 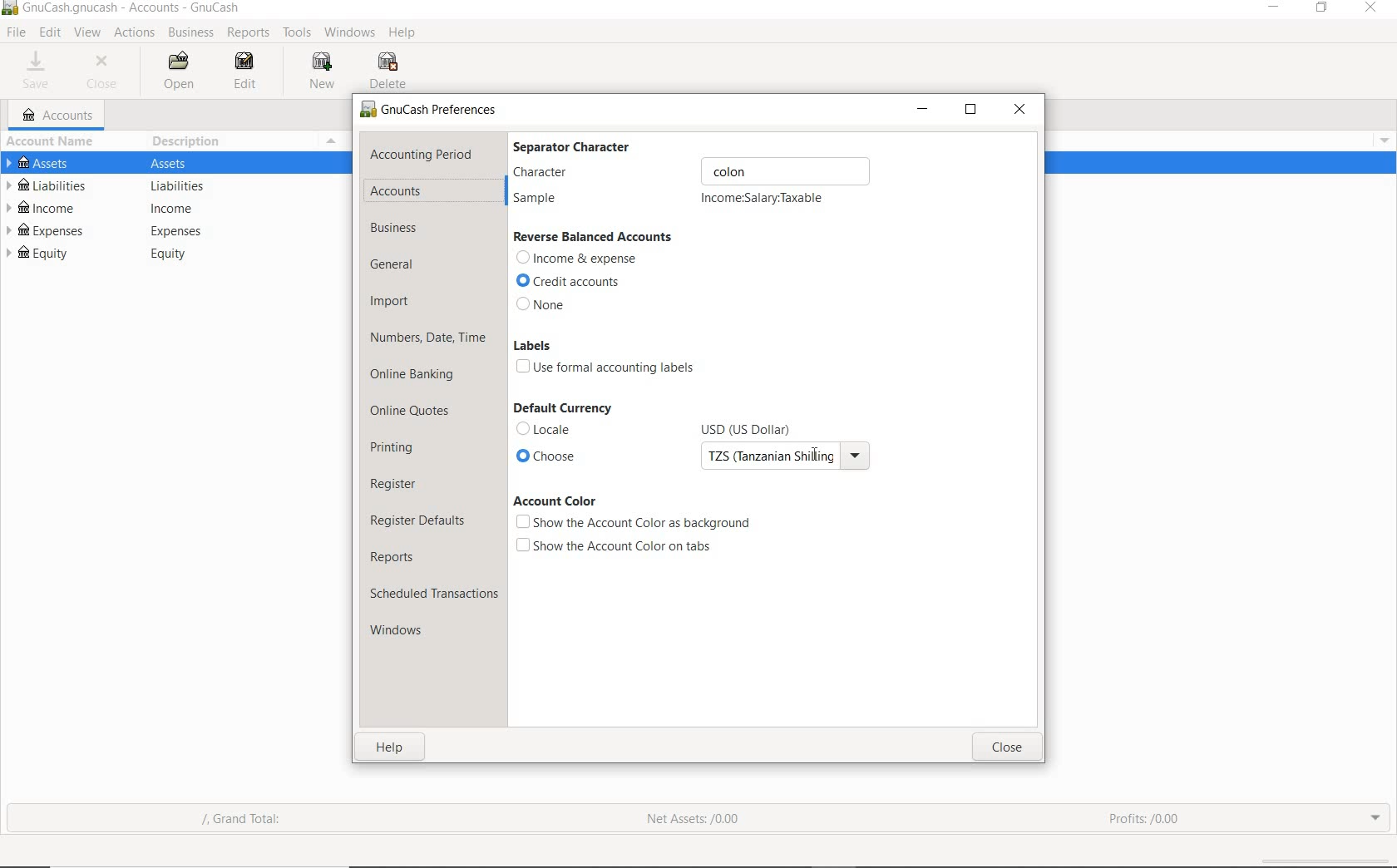 What do you see at coordinates (41, 67) in the screenshot?
I see `SAVE` at bounding box center [41, 67].